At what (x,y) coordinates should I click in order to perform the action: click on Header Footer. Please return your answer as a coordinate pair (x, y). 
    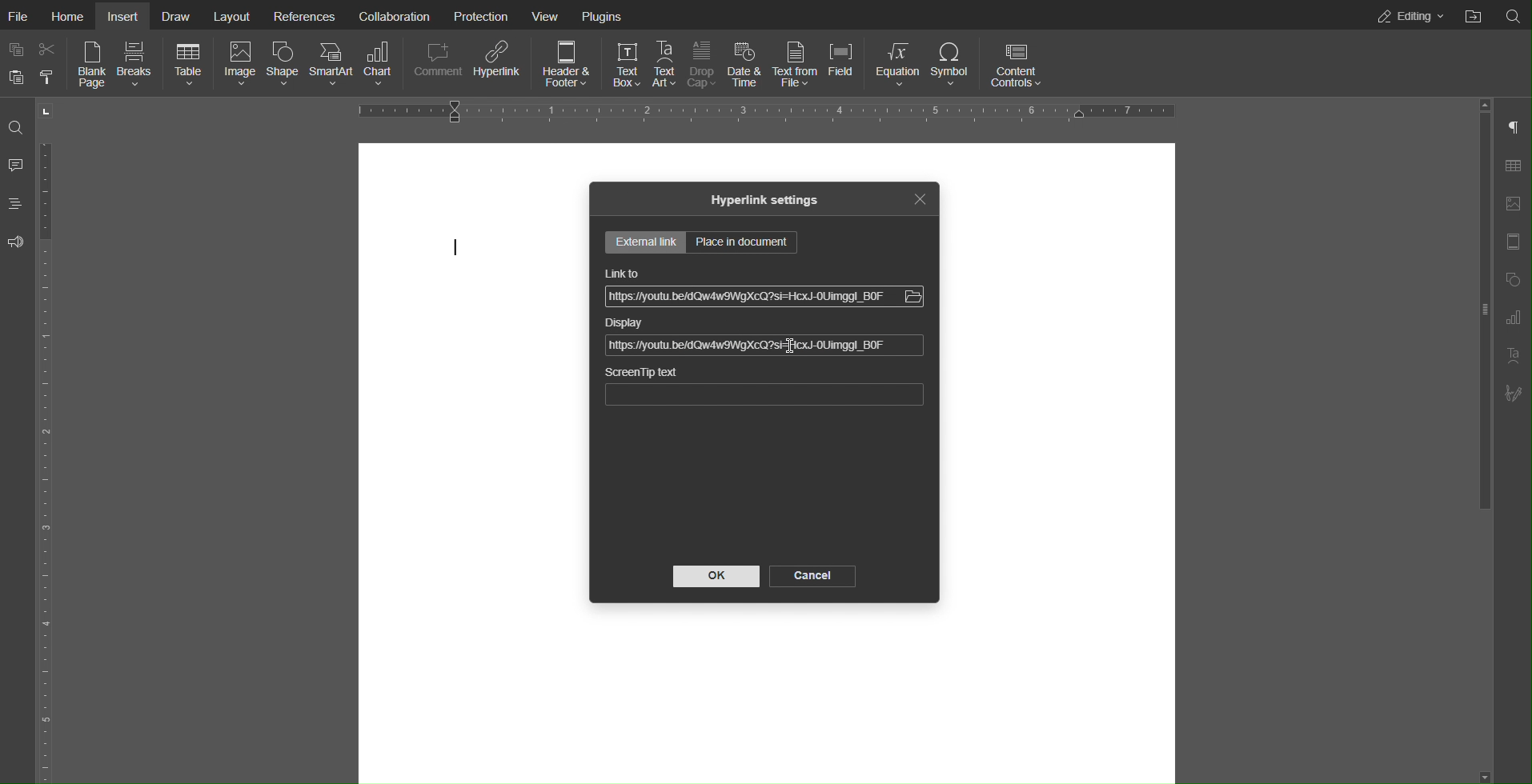
    Looking at the image, I should click on (1512, 244).